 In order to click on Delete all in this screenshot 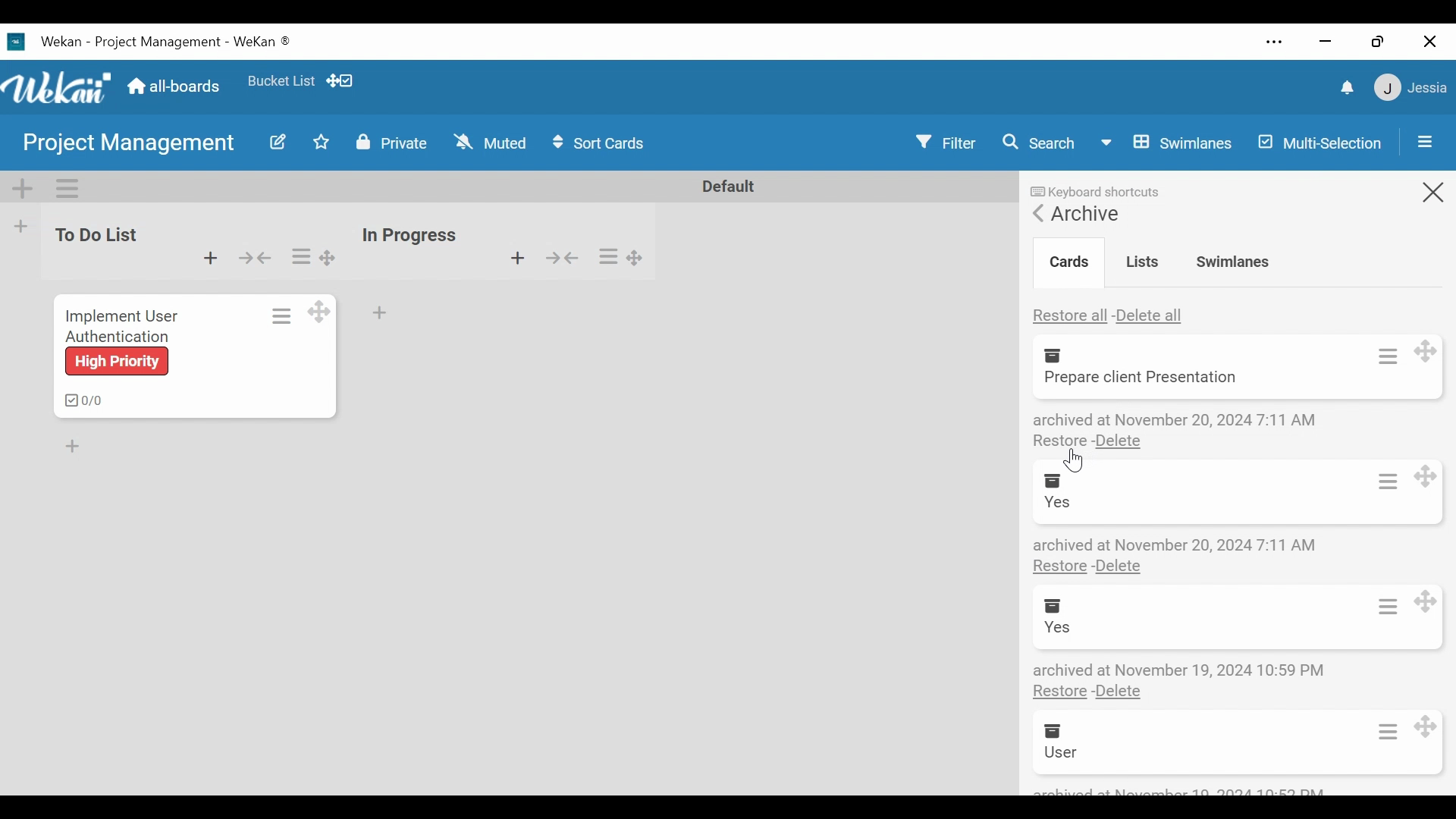, I will do `click(1153, 313)`.